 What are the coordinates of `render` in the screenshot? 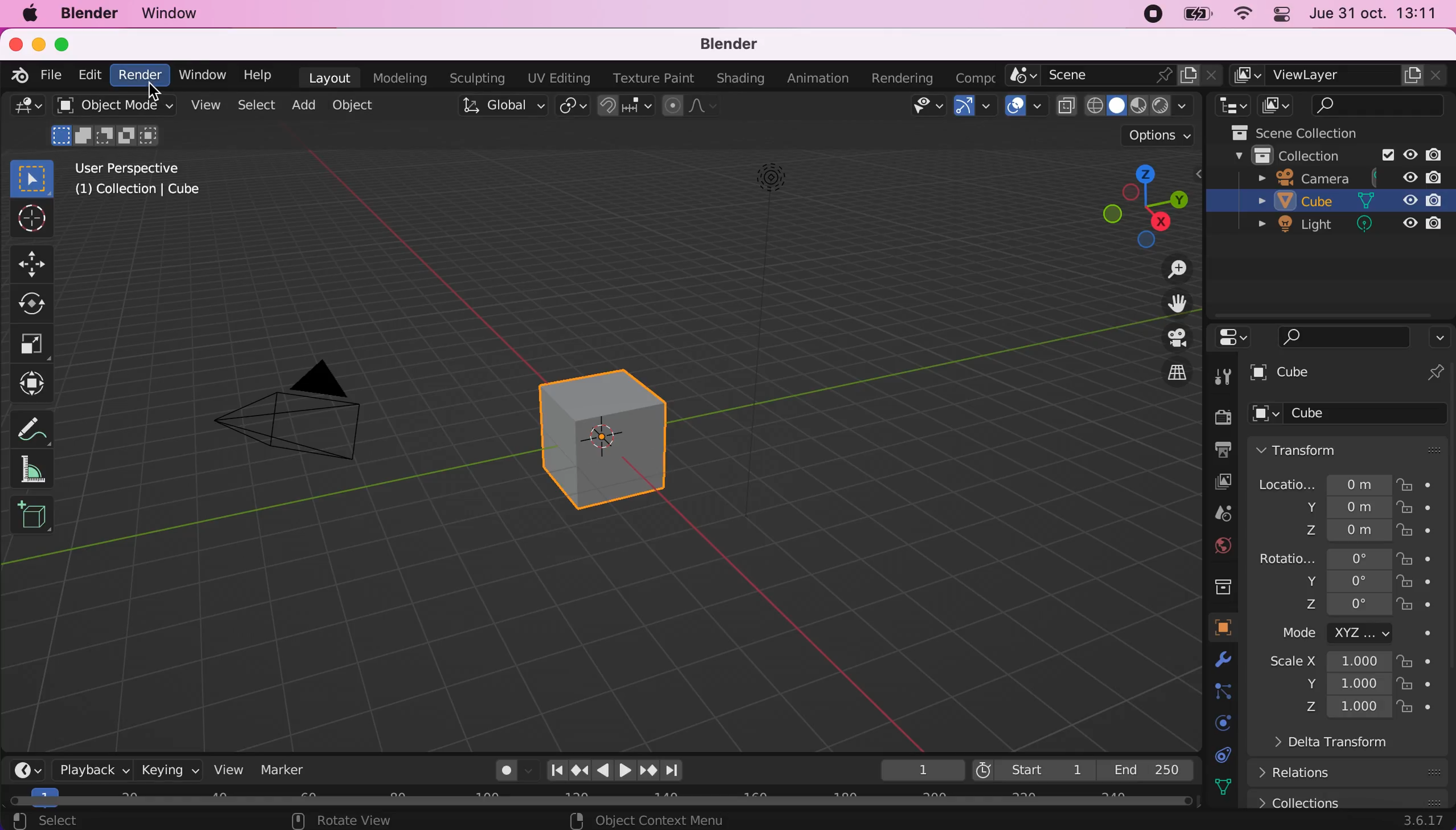 It's located at (139, 71).